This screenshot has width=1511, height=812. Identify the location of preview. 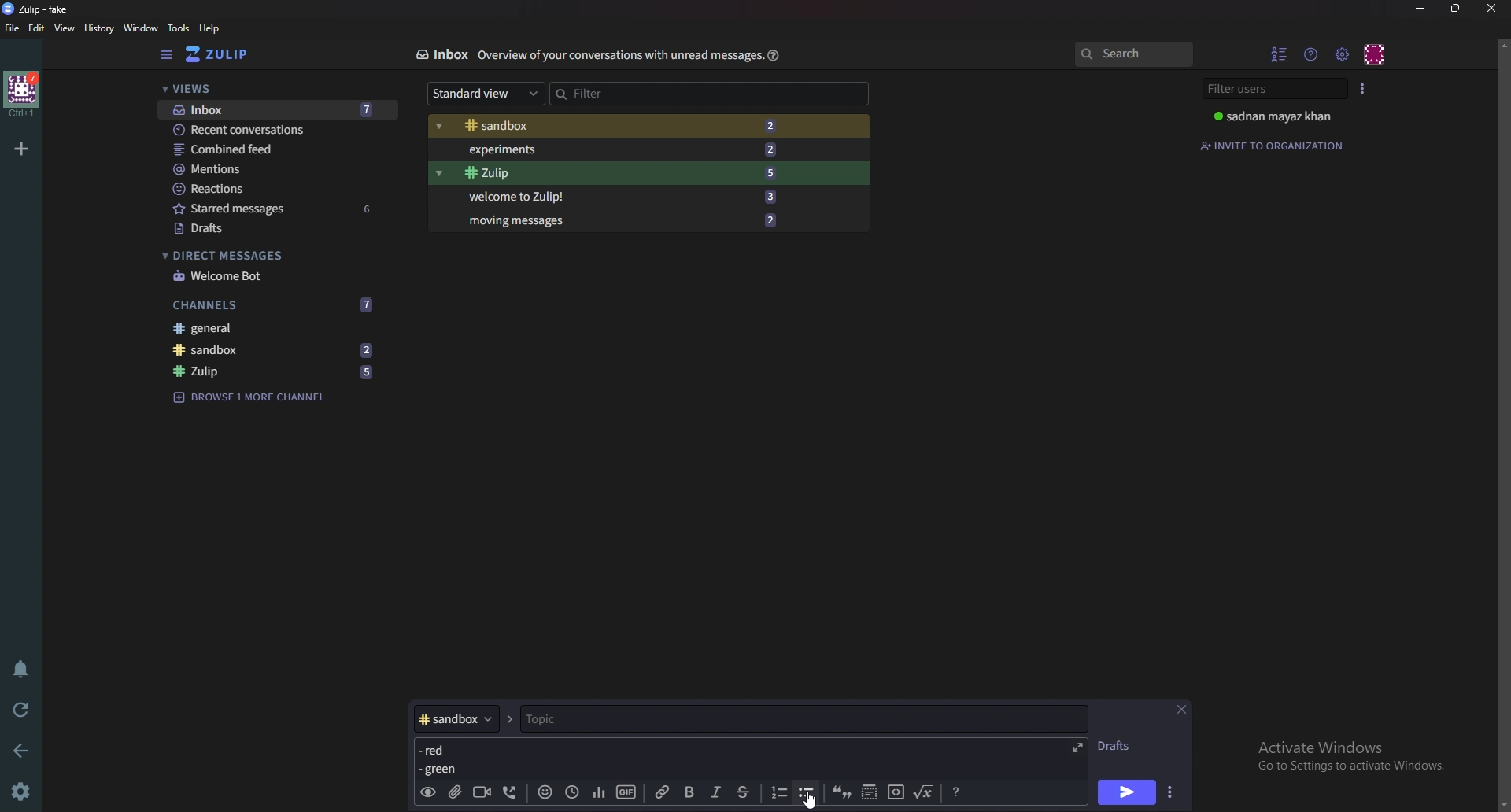
(427, 793).